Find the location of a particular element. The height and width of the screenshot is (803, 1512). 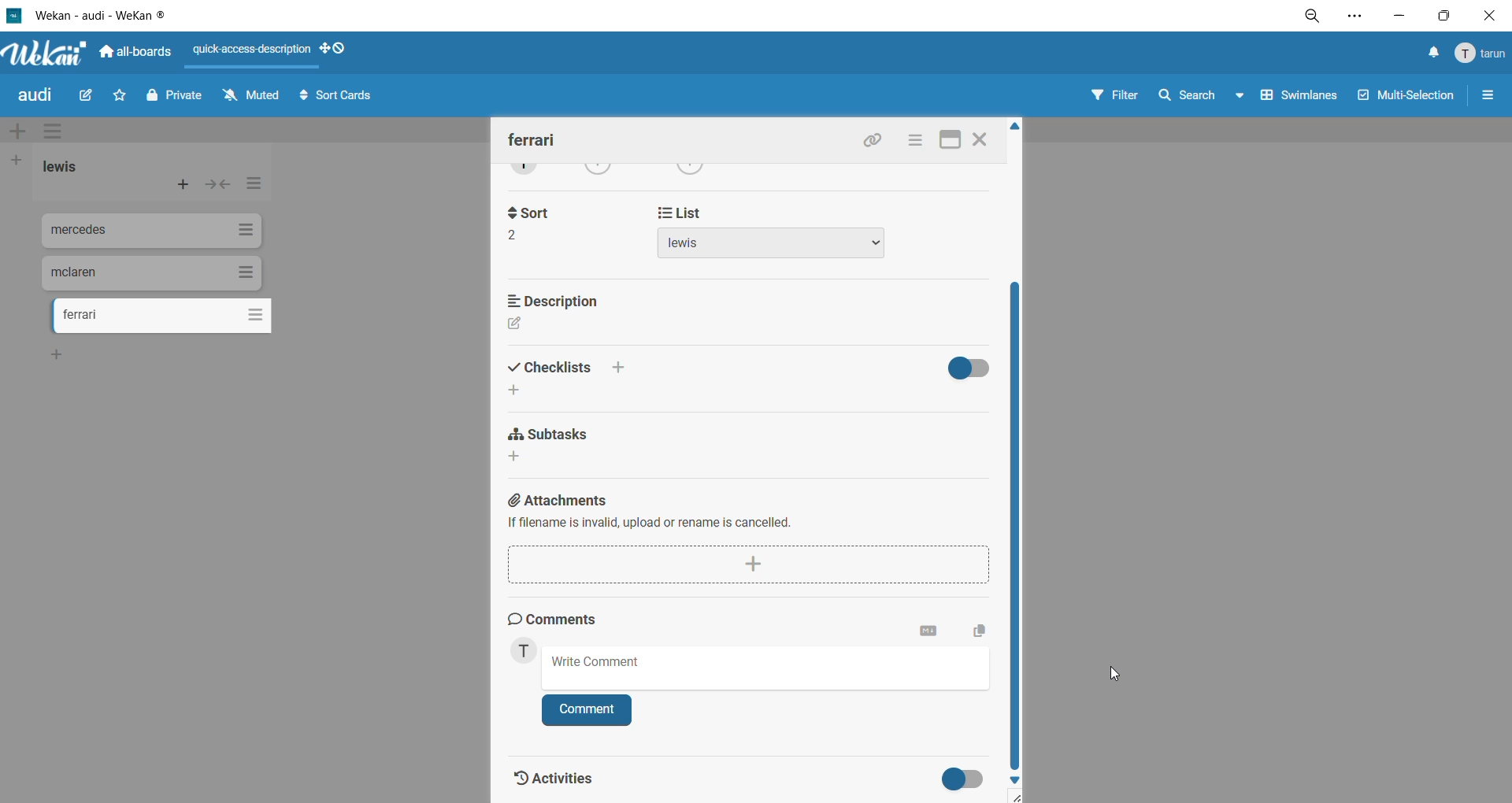

minimize is located at coordinates (1398, 17).